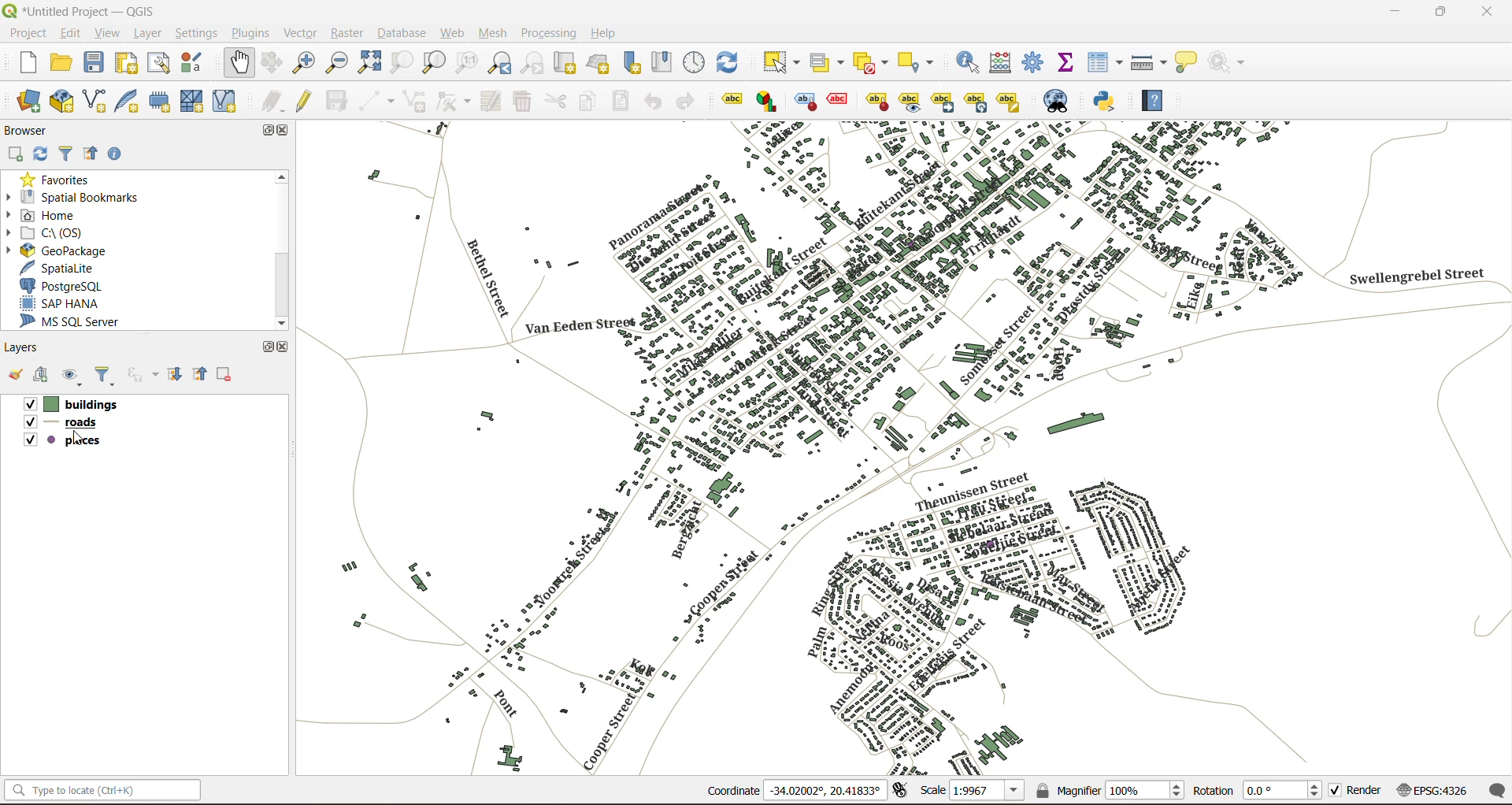 The height and width of the screenshot is (805, 1512). Describe the element at coordinates (274, 101) in the screenshot. I see `edits` at that location.